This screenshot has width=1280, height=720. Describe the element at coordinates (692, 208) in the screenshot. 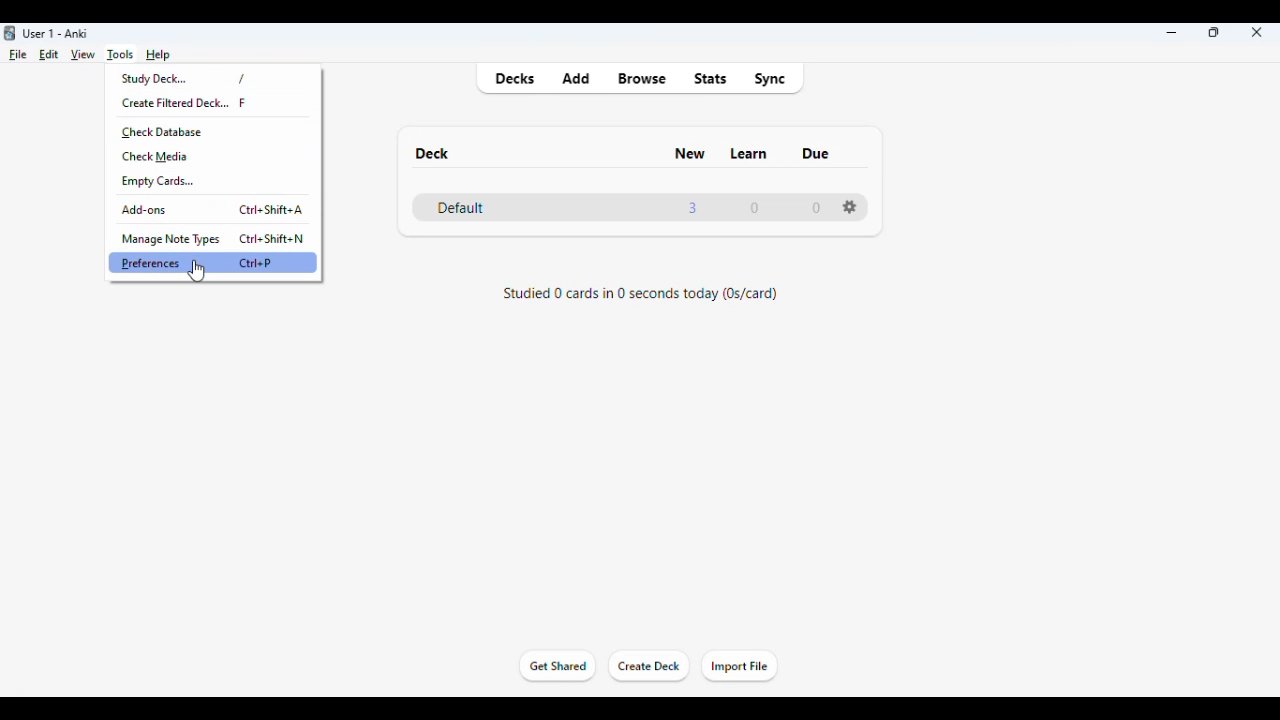

I see `3` at that location.